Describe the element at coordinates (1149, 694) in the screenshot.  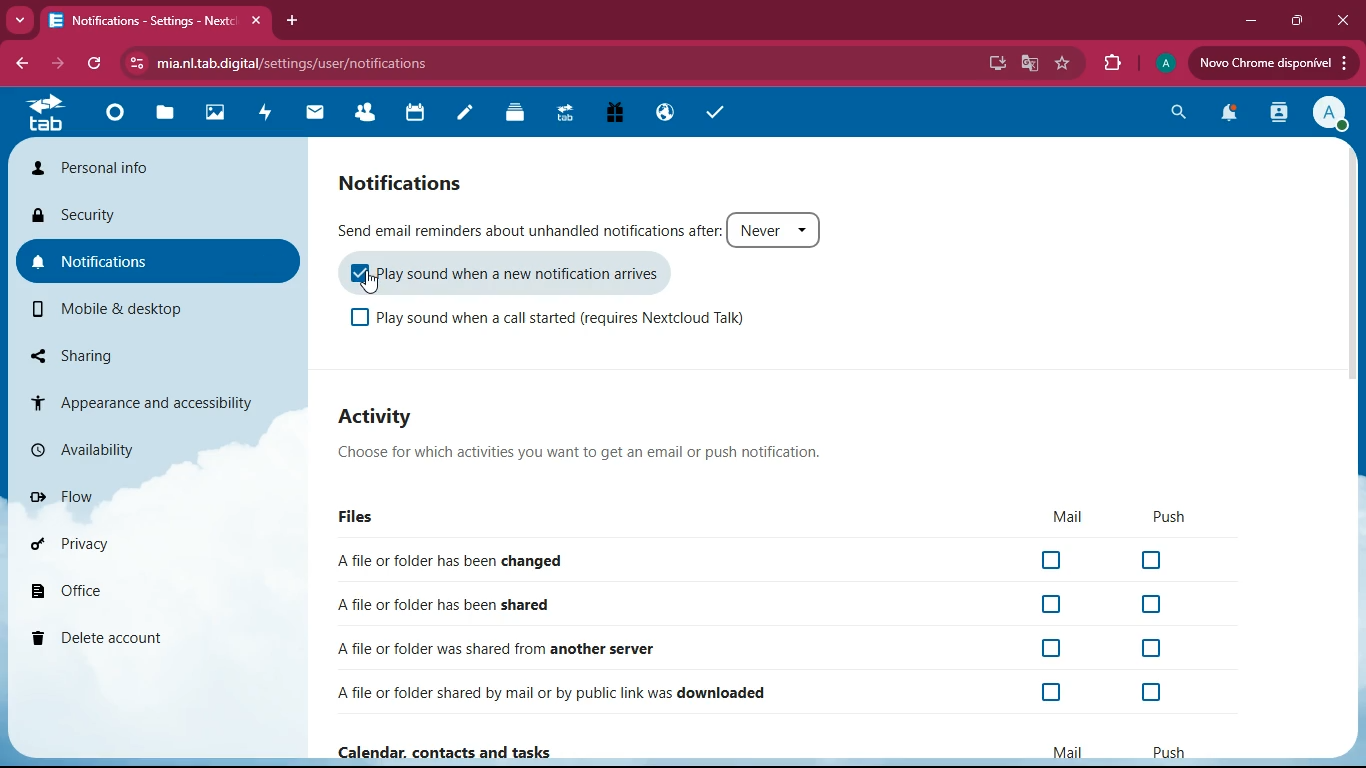
I see `off` at that location.